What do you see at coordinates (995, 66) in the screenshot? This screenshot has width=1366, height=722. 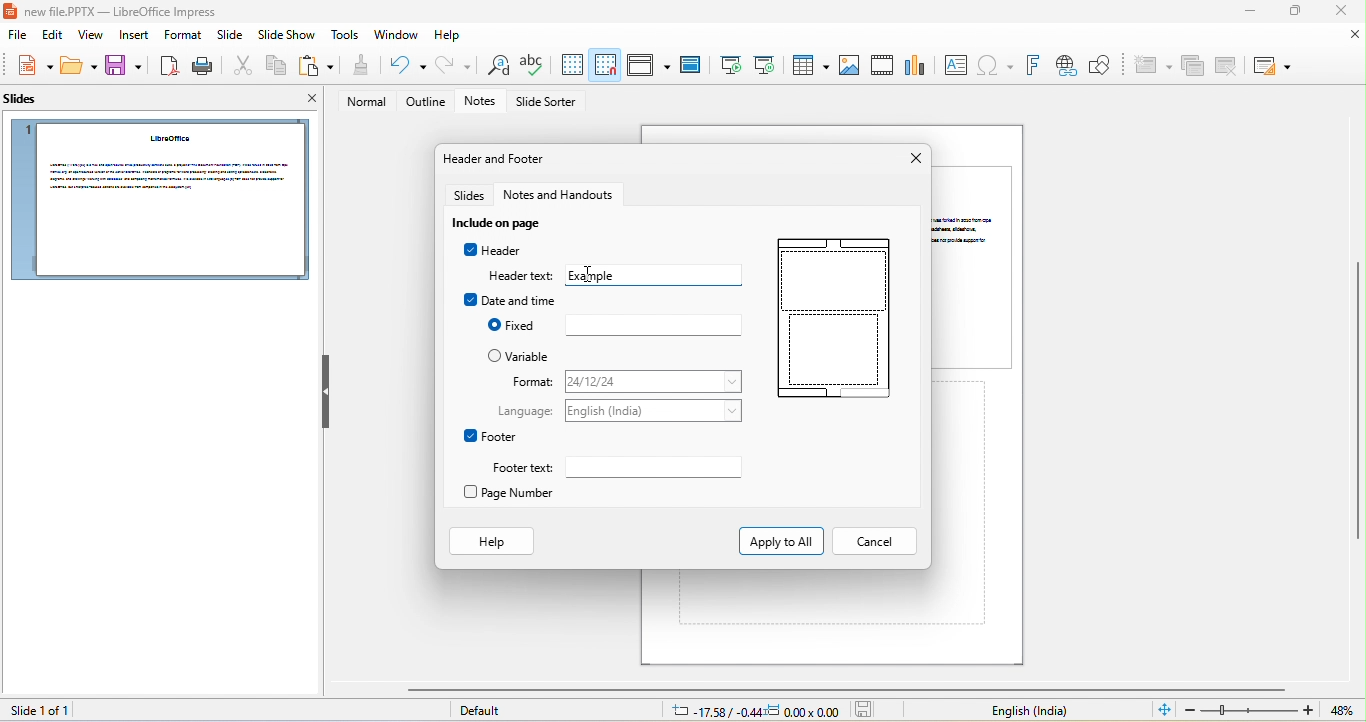 I see `special character` at bounding box center [995, 66].